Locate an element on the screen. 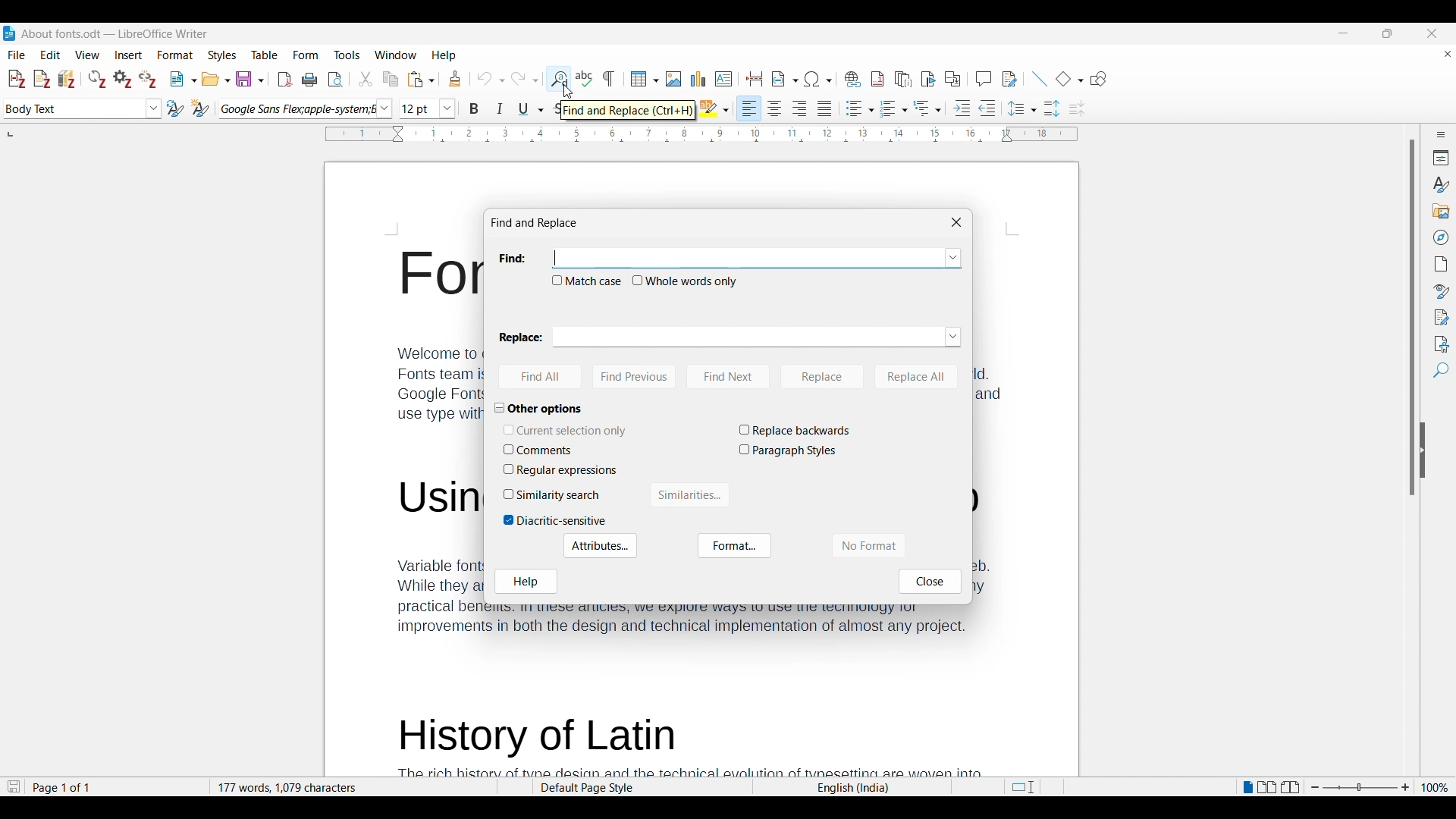  Find previous is located at coordinates (635, 377).